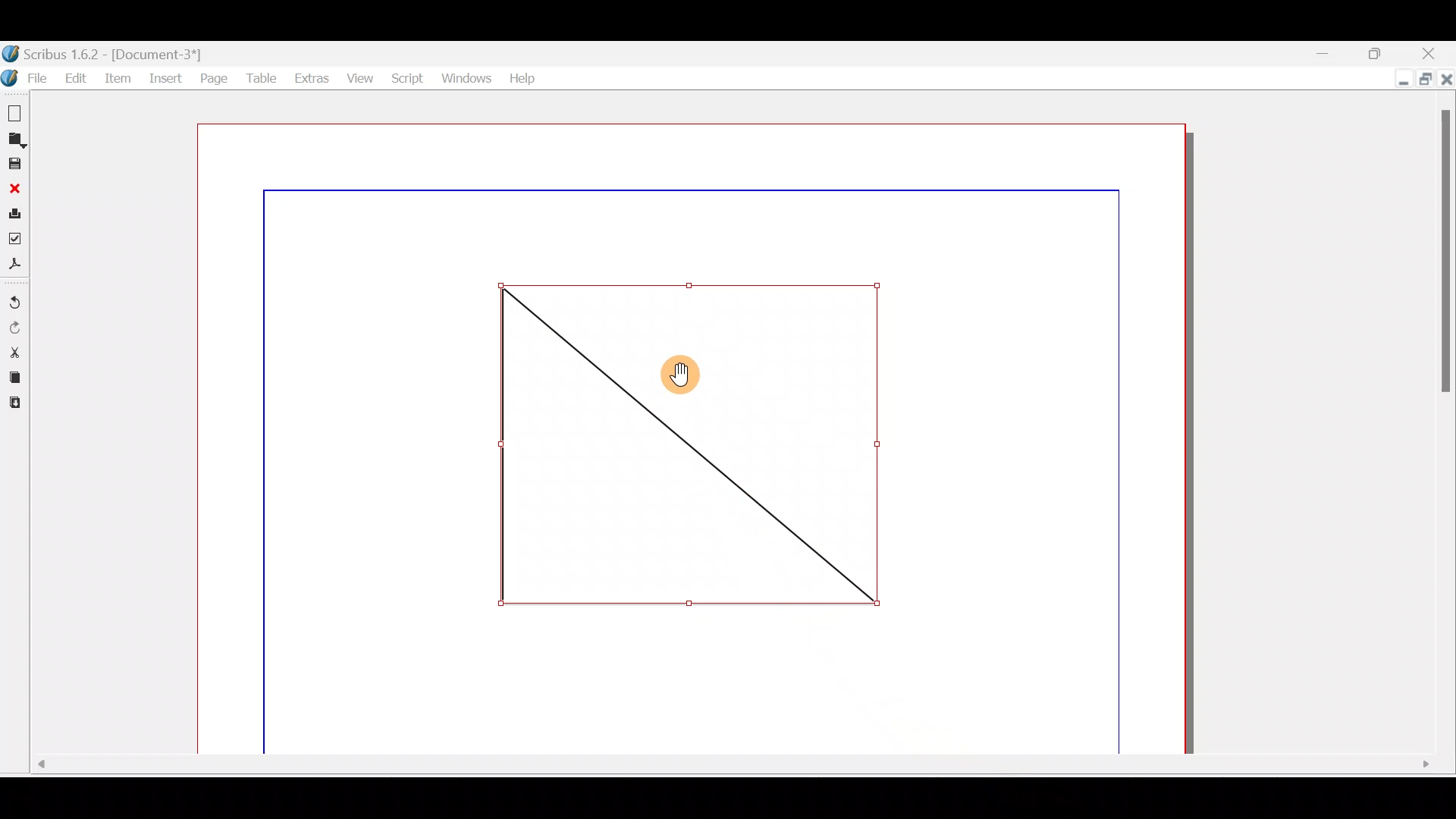 Image resolution: width=1456 pixels, height=819 pixels. Describe the element at coordinates (1436, 52) in the screenshot. I see `Close` at that location.